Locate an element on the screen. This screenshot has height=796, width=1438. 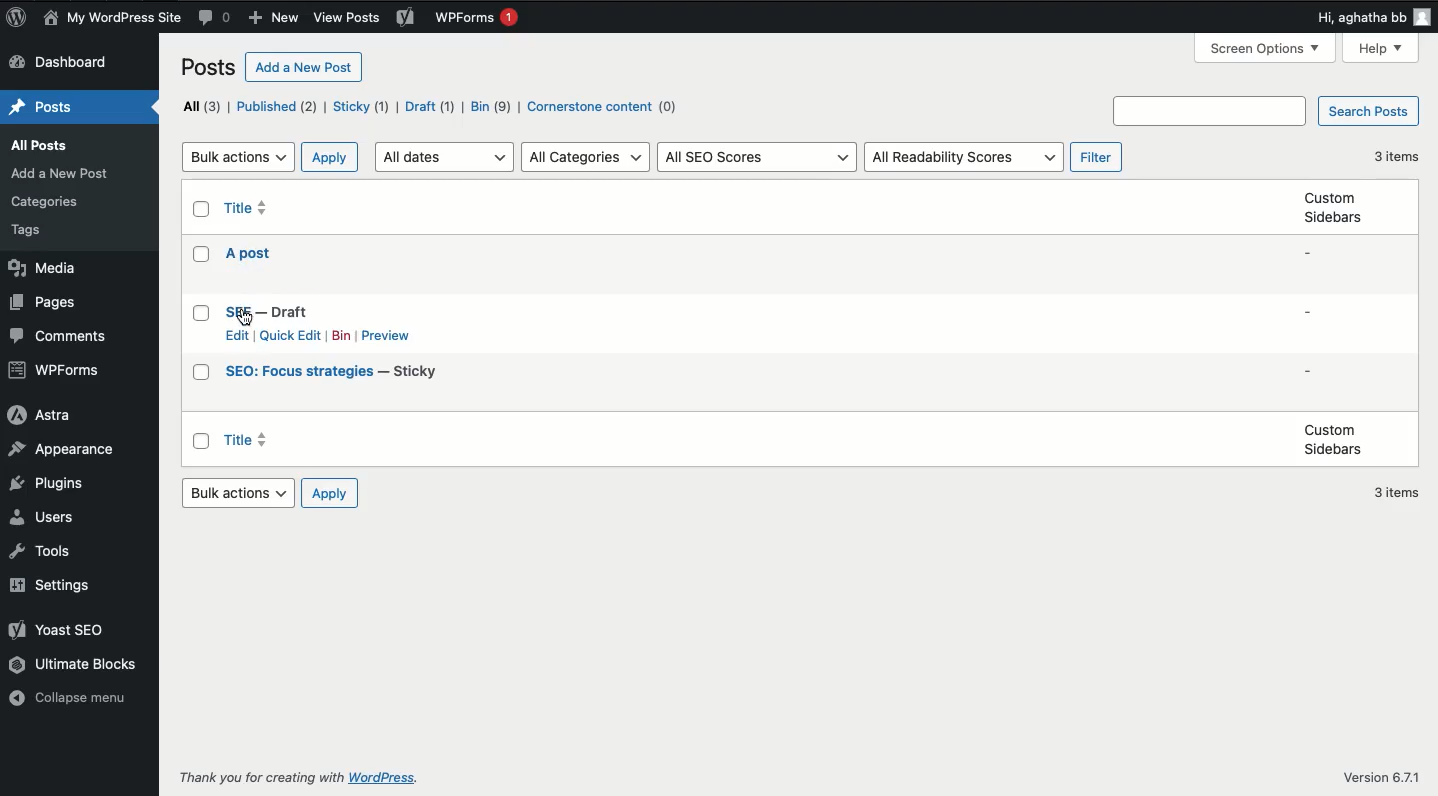
Checkbox is located at coordinates (196, 312).